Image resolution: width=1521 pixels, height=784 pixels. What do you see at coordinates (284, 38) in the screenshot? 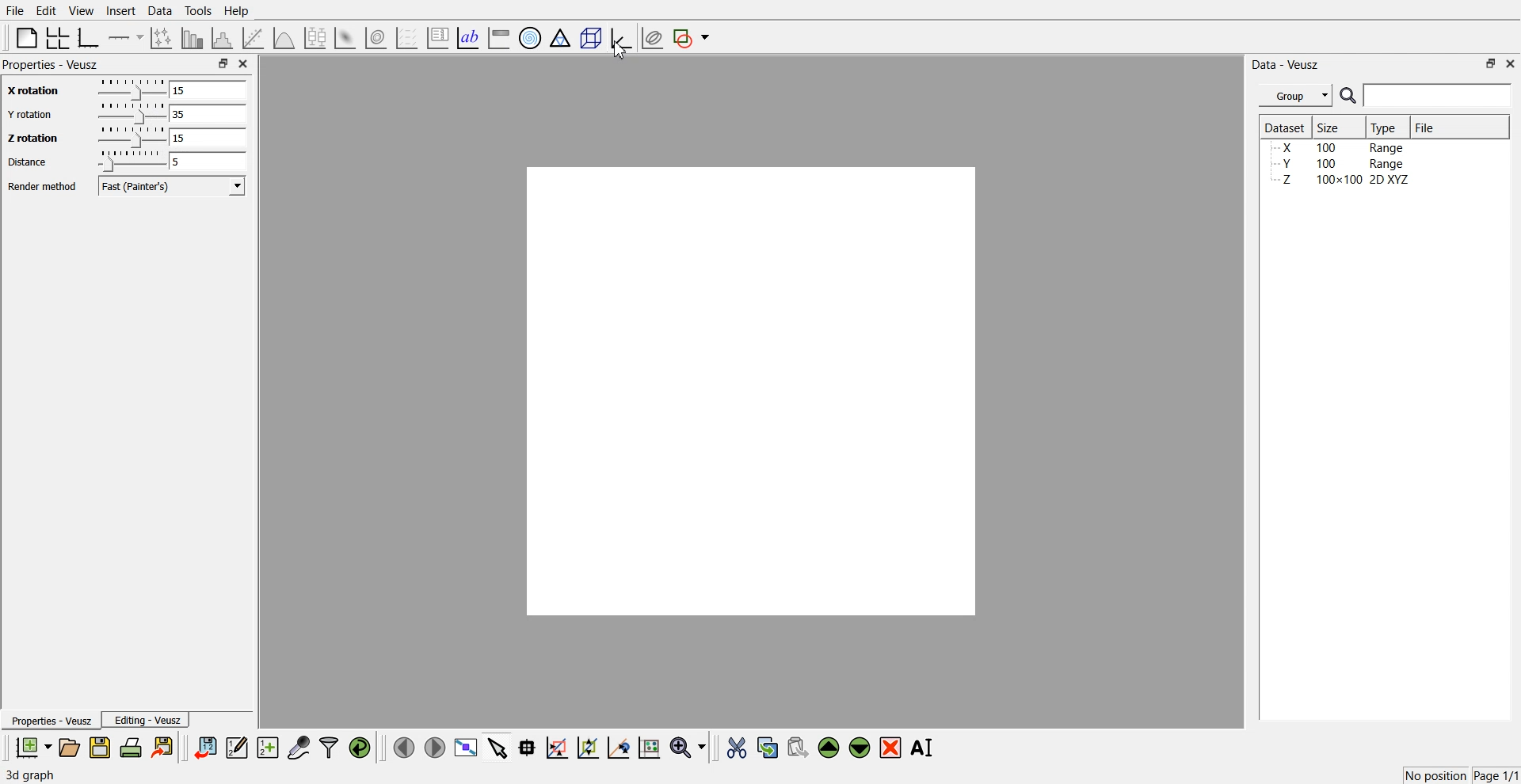
I see `3D Function` at bounding box center [284, 38].